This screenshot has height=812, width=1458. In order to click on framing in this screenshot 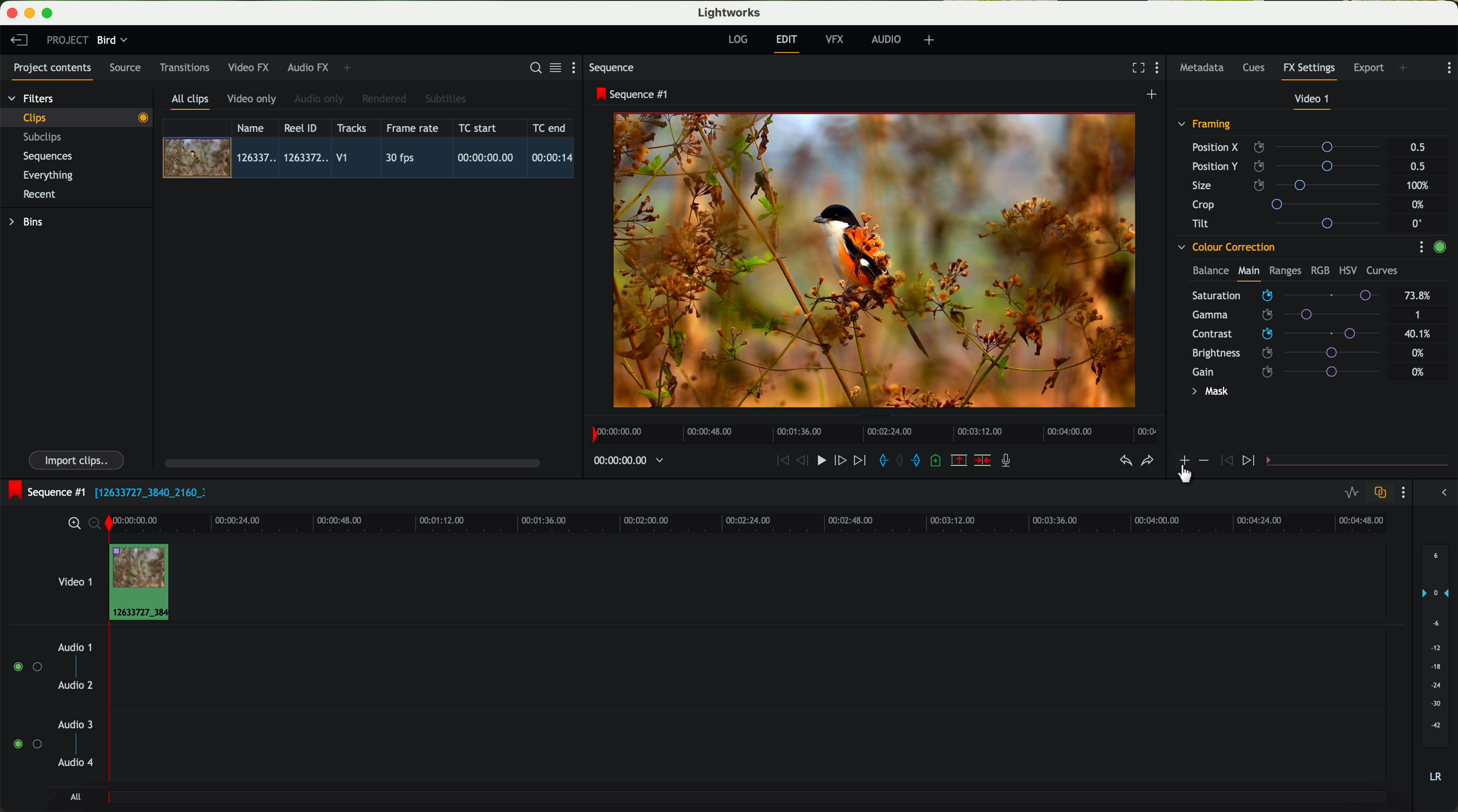, I will do `click(1205, 126)`.